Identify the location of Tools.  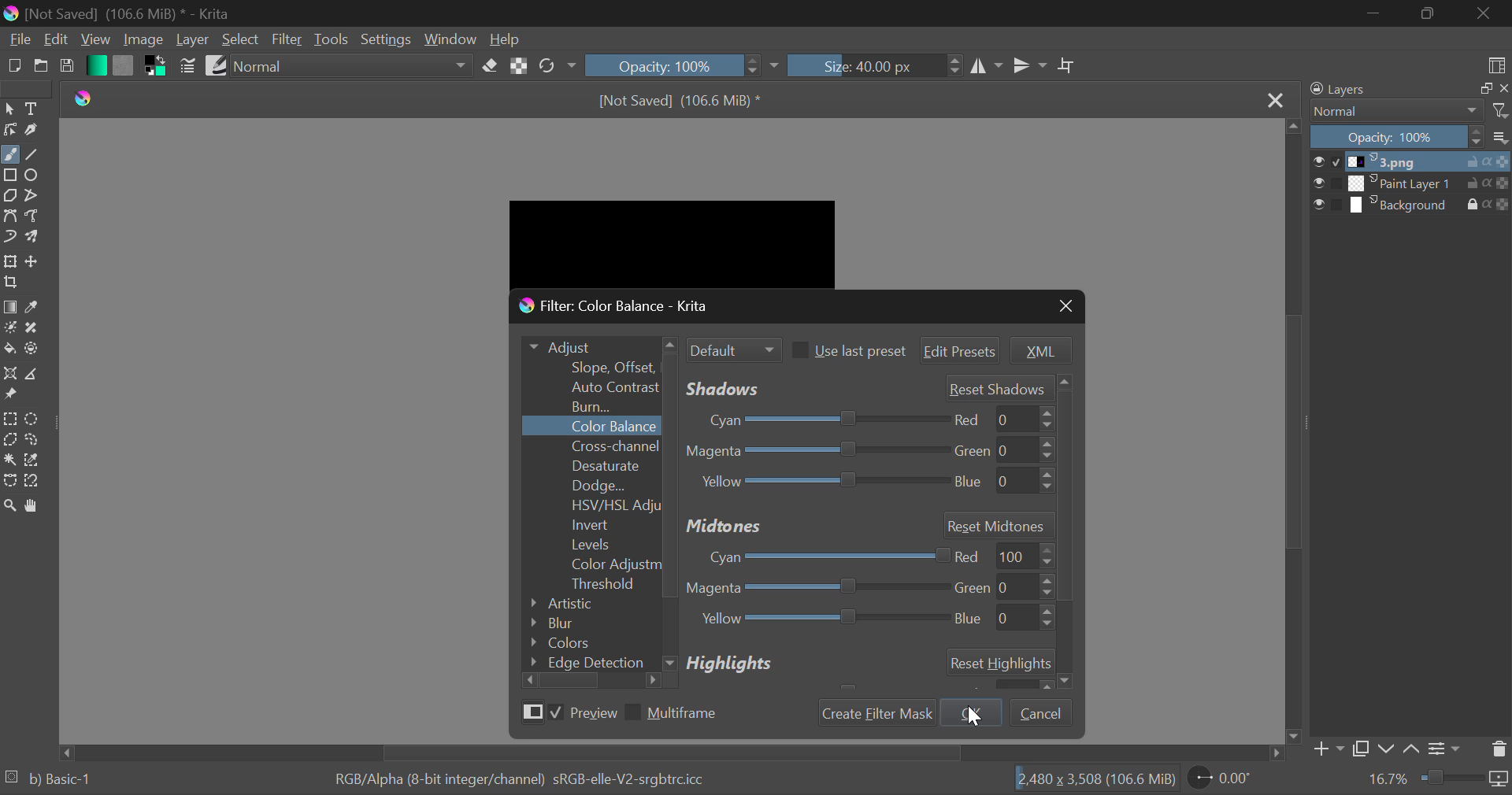
(332, 41).